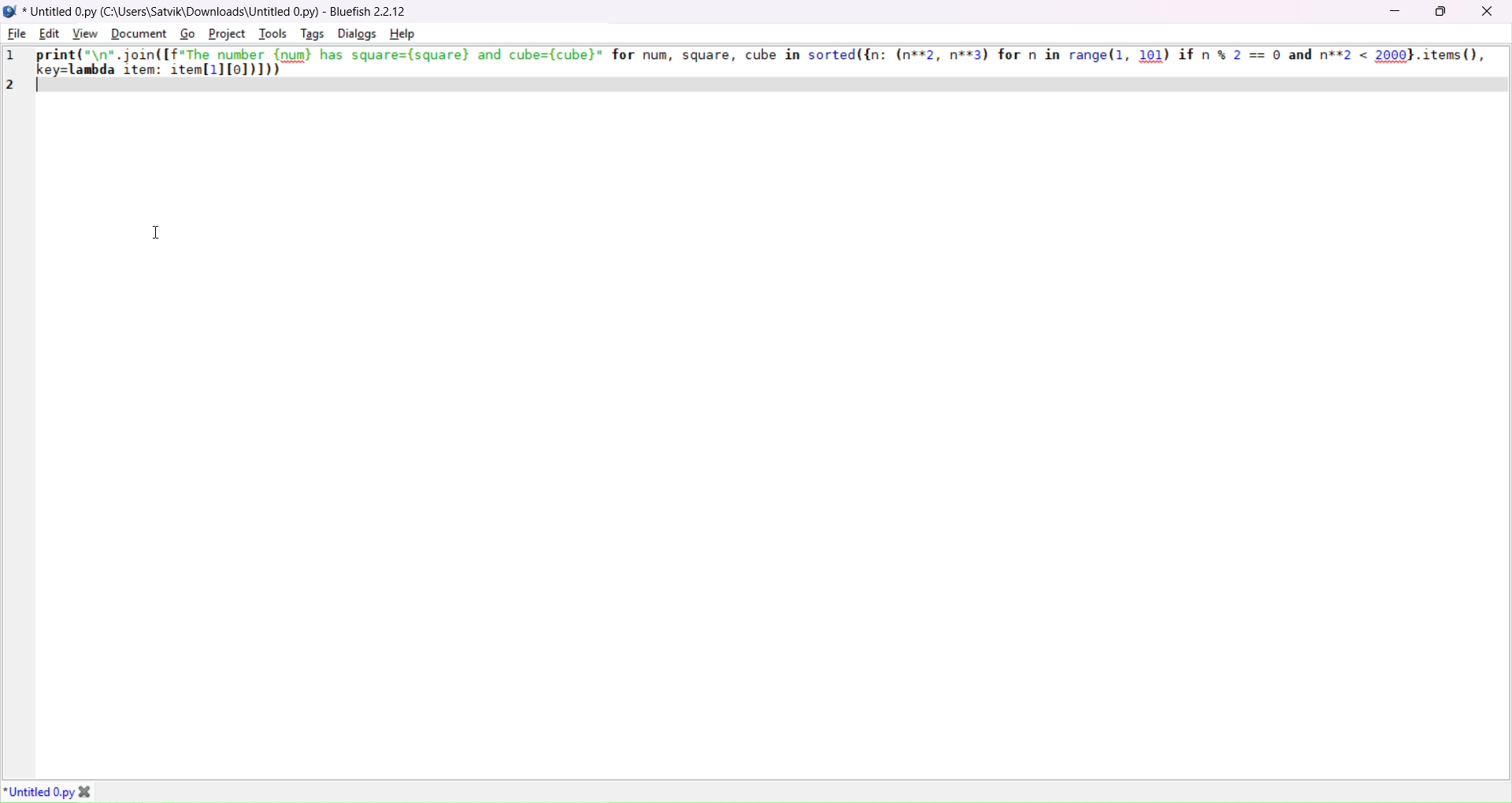 Image resolution: width=1512 pixels, height=803 pixels. What do you see at coordinates (356, 33) in the screenshot?
I see `dialog` at bounding box center [356, 33].